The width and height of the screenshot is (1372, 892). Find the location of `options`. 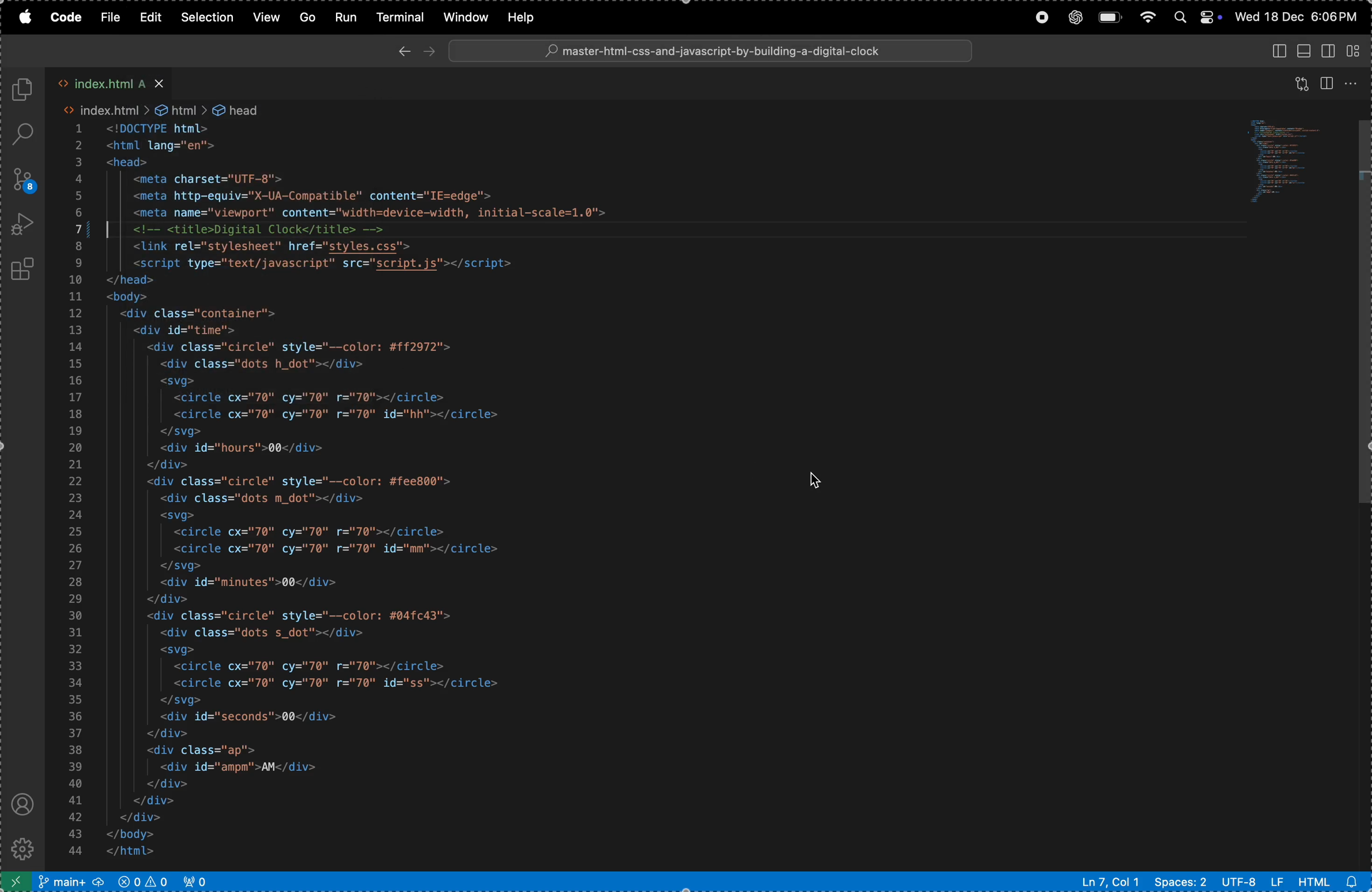

options is located at coordinates (1352, 84).